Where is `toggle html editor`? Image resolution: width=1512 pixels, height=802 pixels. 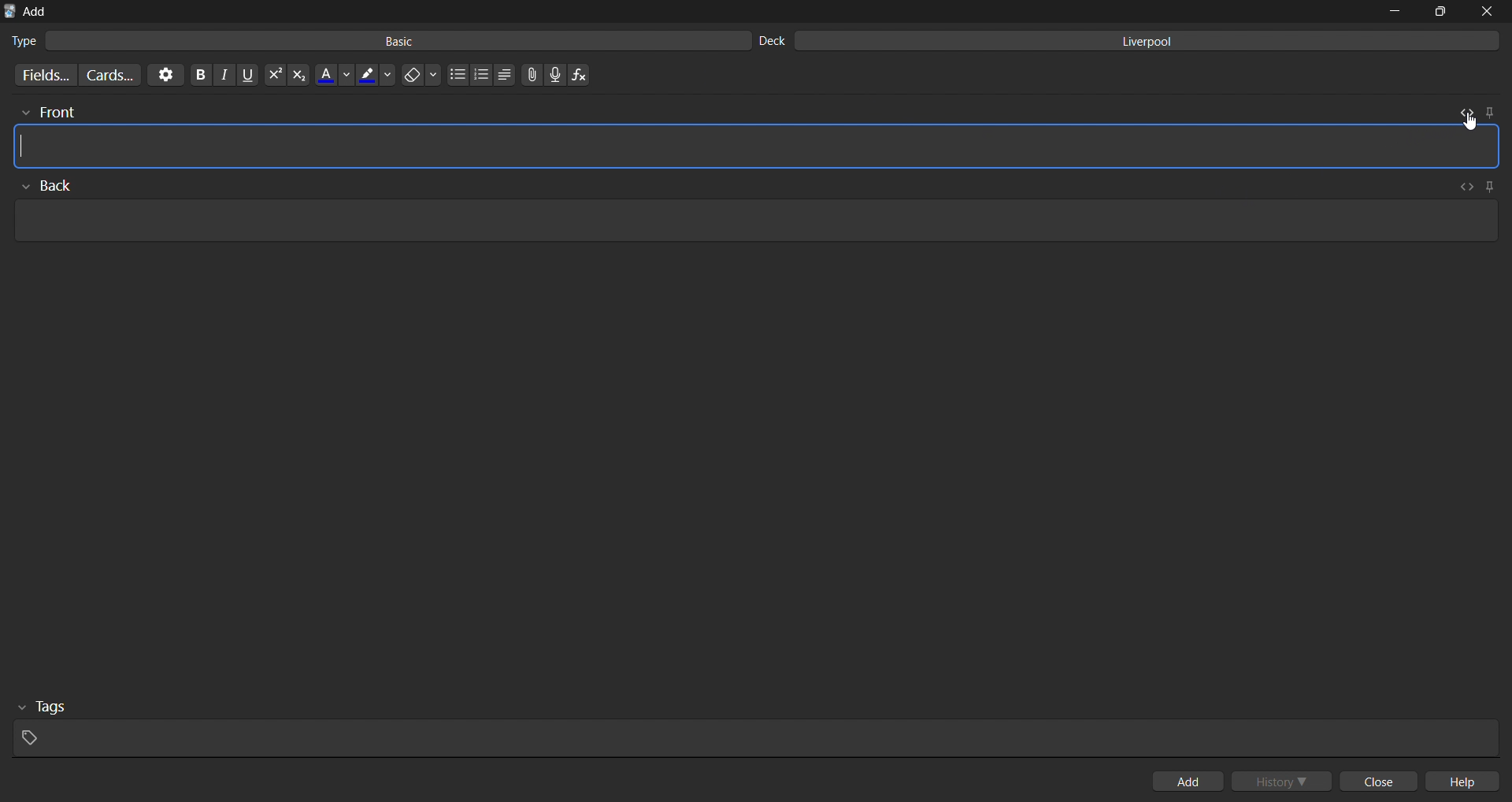 toggle html editor is located at coordinates (1463, 111).